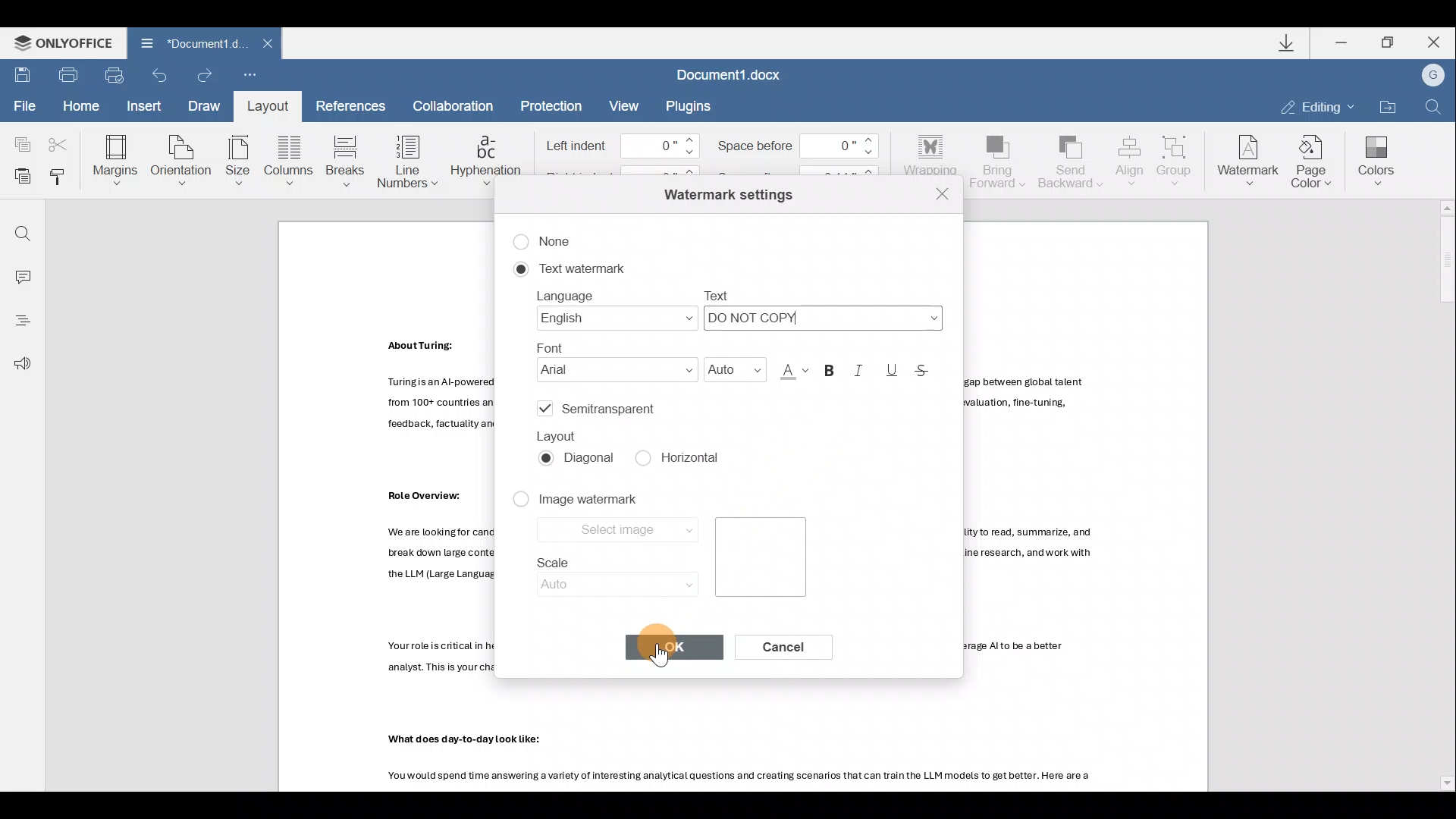  I want to click on Margins, so click(118, 157).